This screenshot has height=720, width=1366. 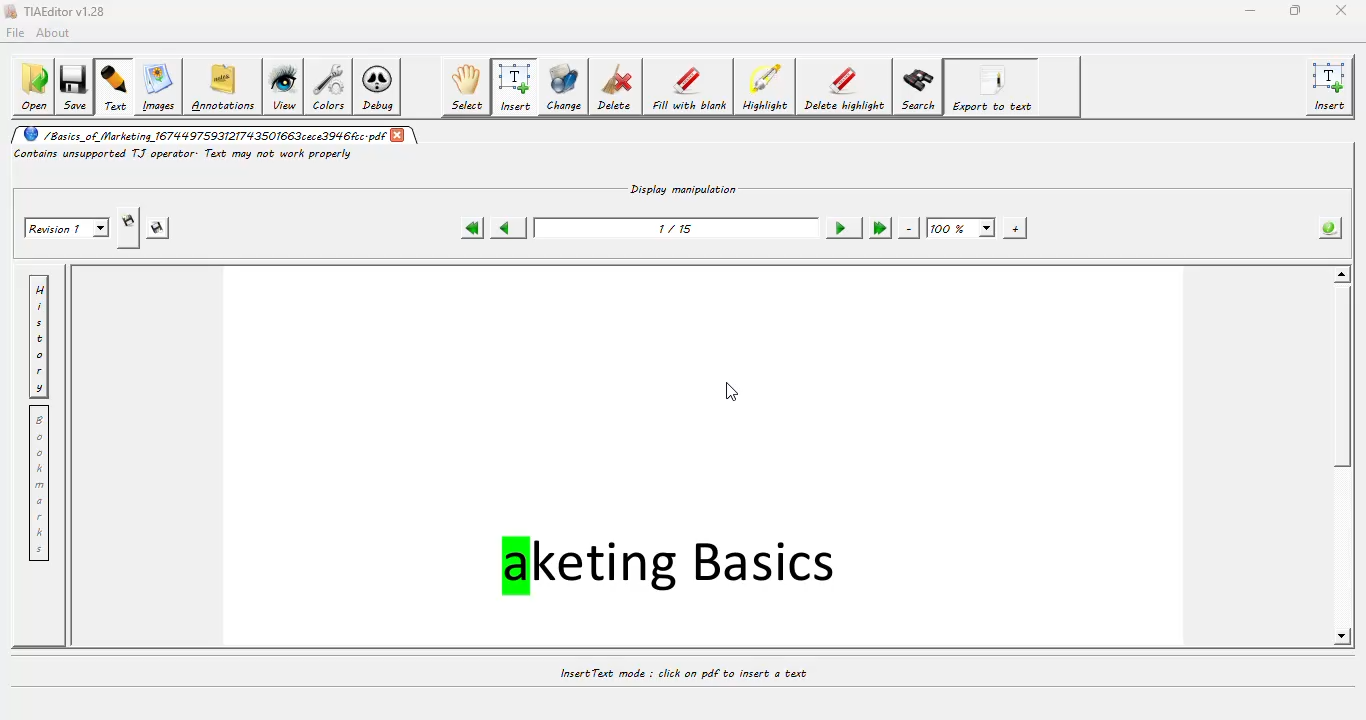 I want to click on scroll down, so click(x=1339, y=636).